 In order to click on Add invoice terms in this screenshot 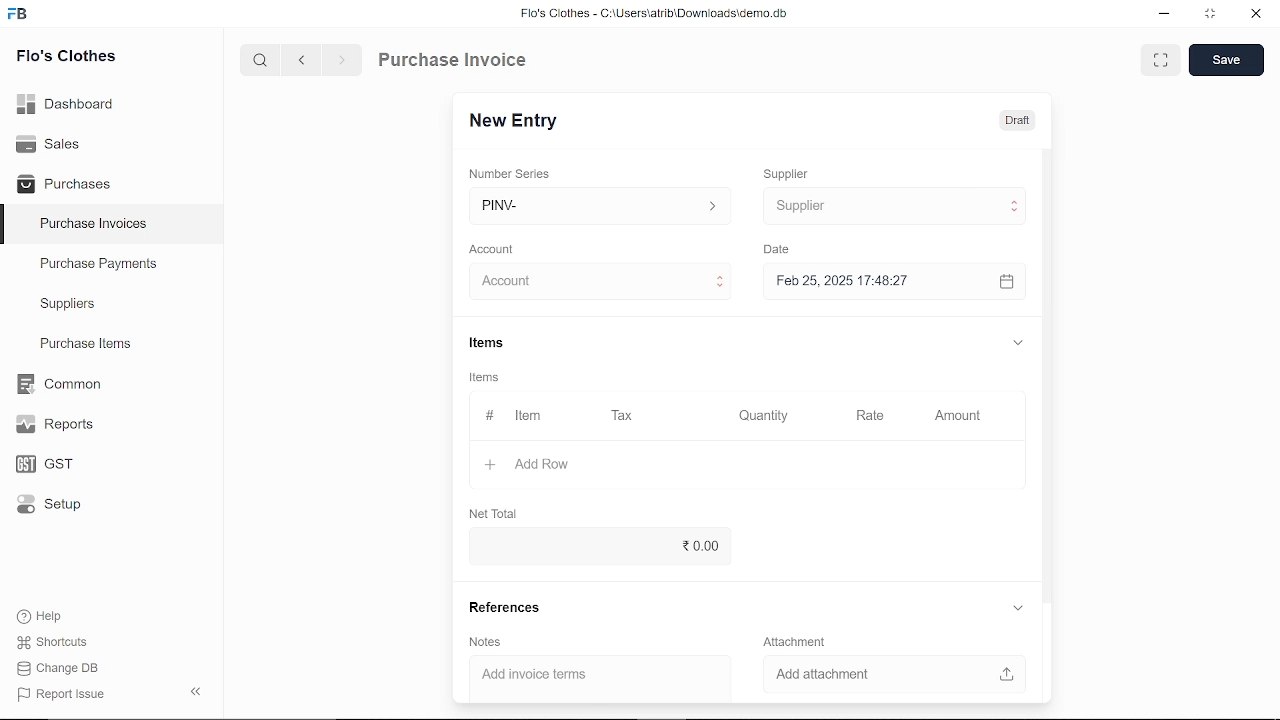, I will do `click(590, 675)`.